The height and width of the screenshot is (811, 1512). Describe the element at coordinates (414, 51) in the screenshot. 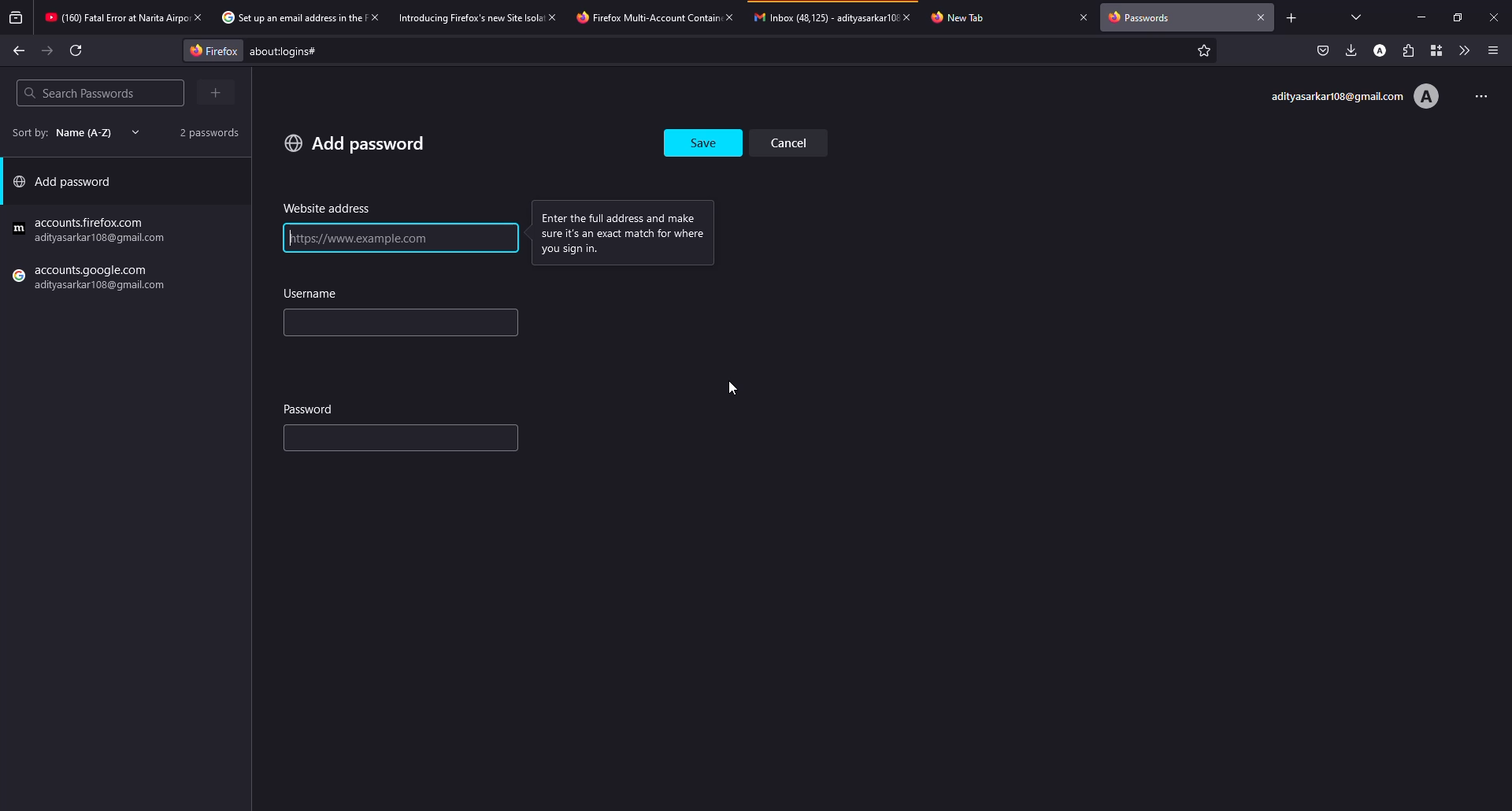

I see `about` at that location.